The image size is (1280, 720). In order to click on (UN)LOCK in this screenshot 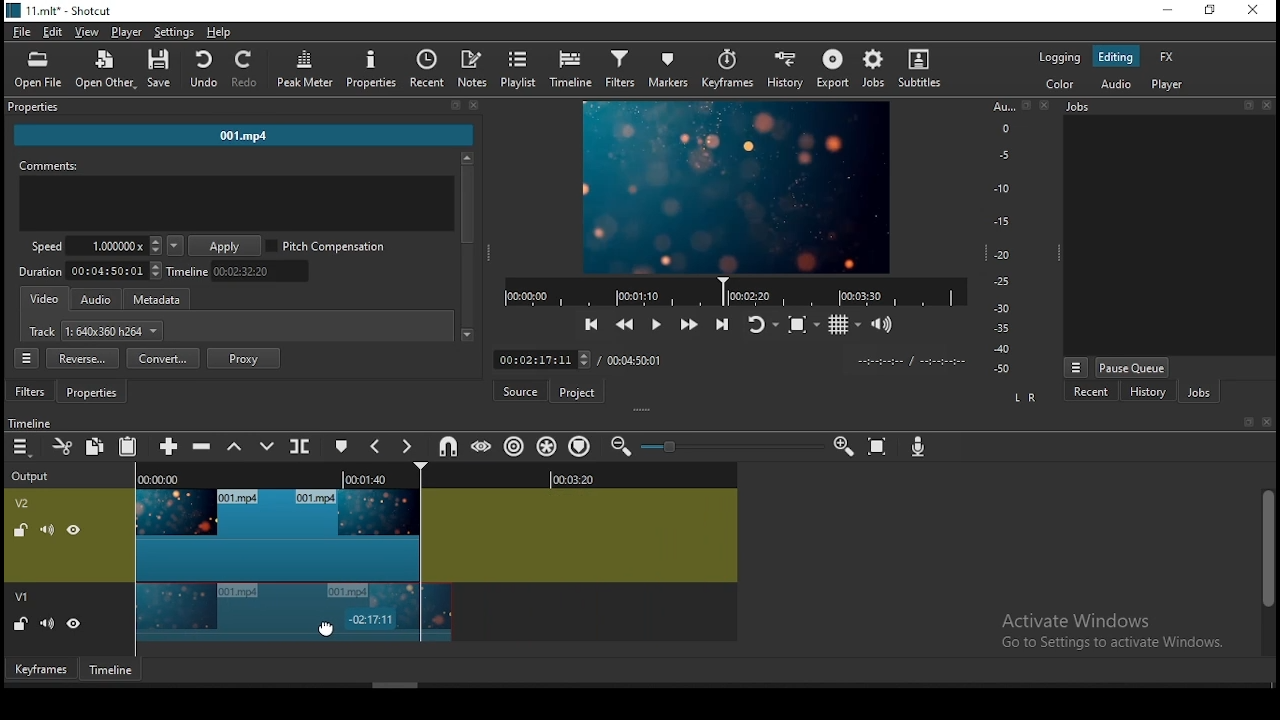, I will do `click(17, 528)`.